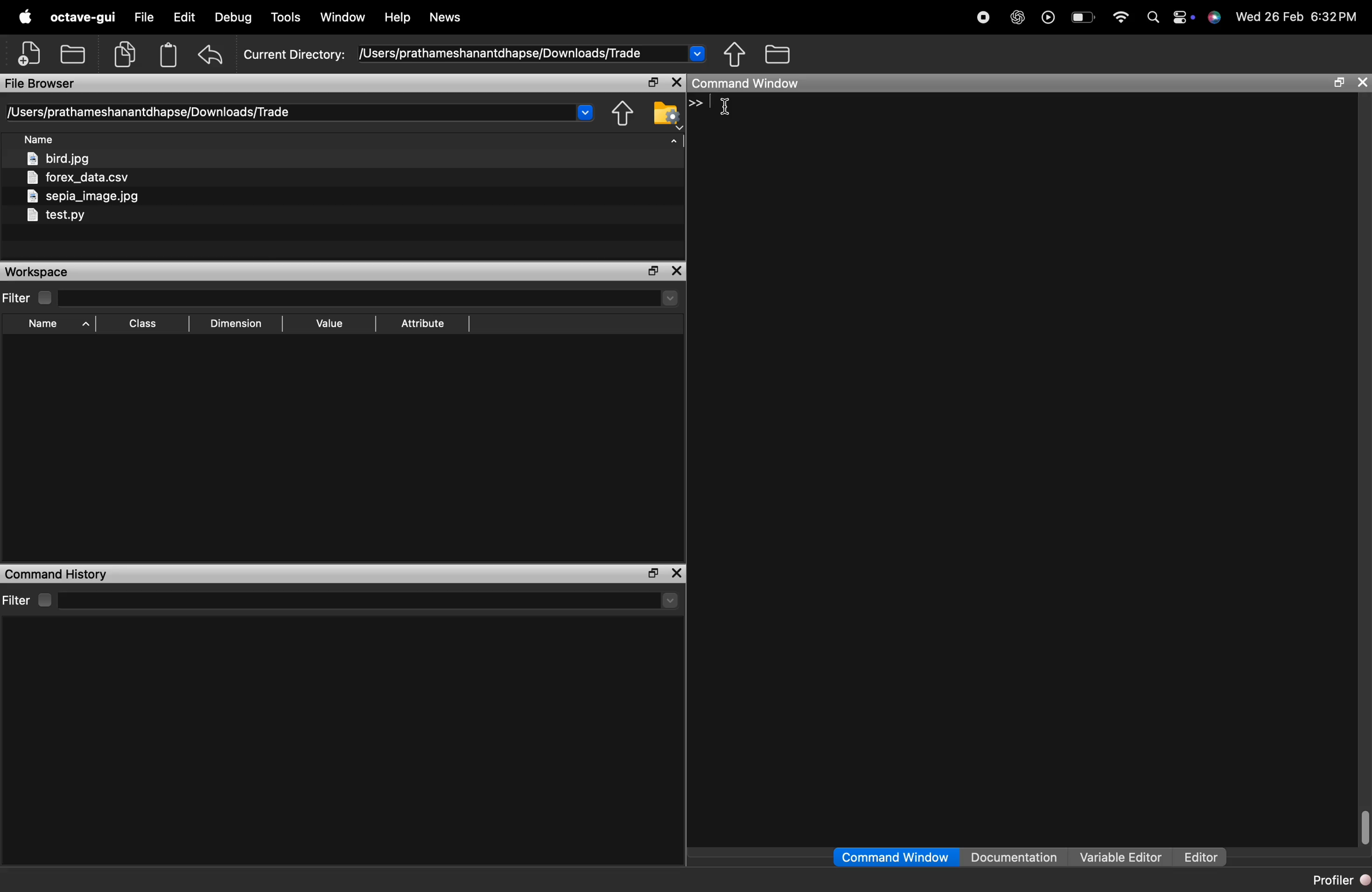 Image resolution: width=1372 pixels, height=892 pixels. Describe the element at coordinates (729, 107) in the screenshot. I see `cursor` at that location.